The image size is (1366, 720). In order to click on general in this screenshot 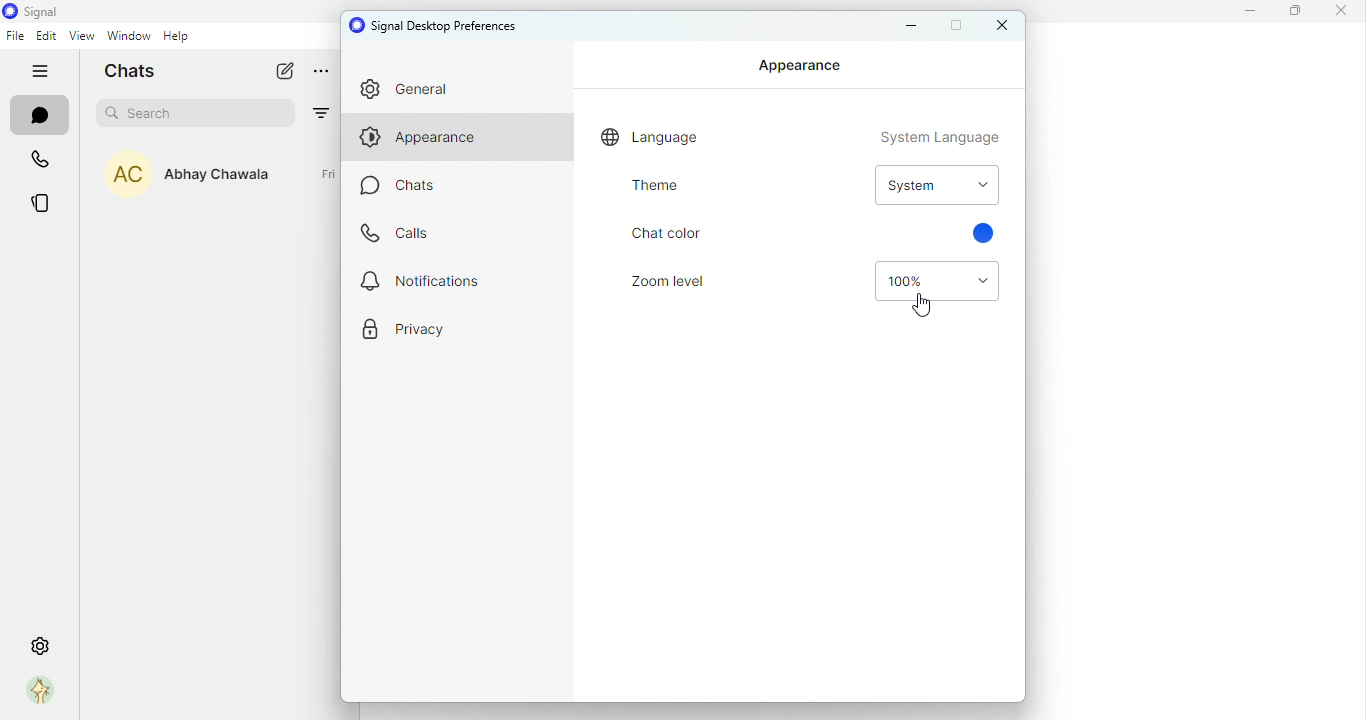, I will do `click(448, 92)`.